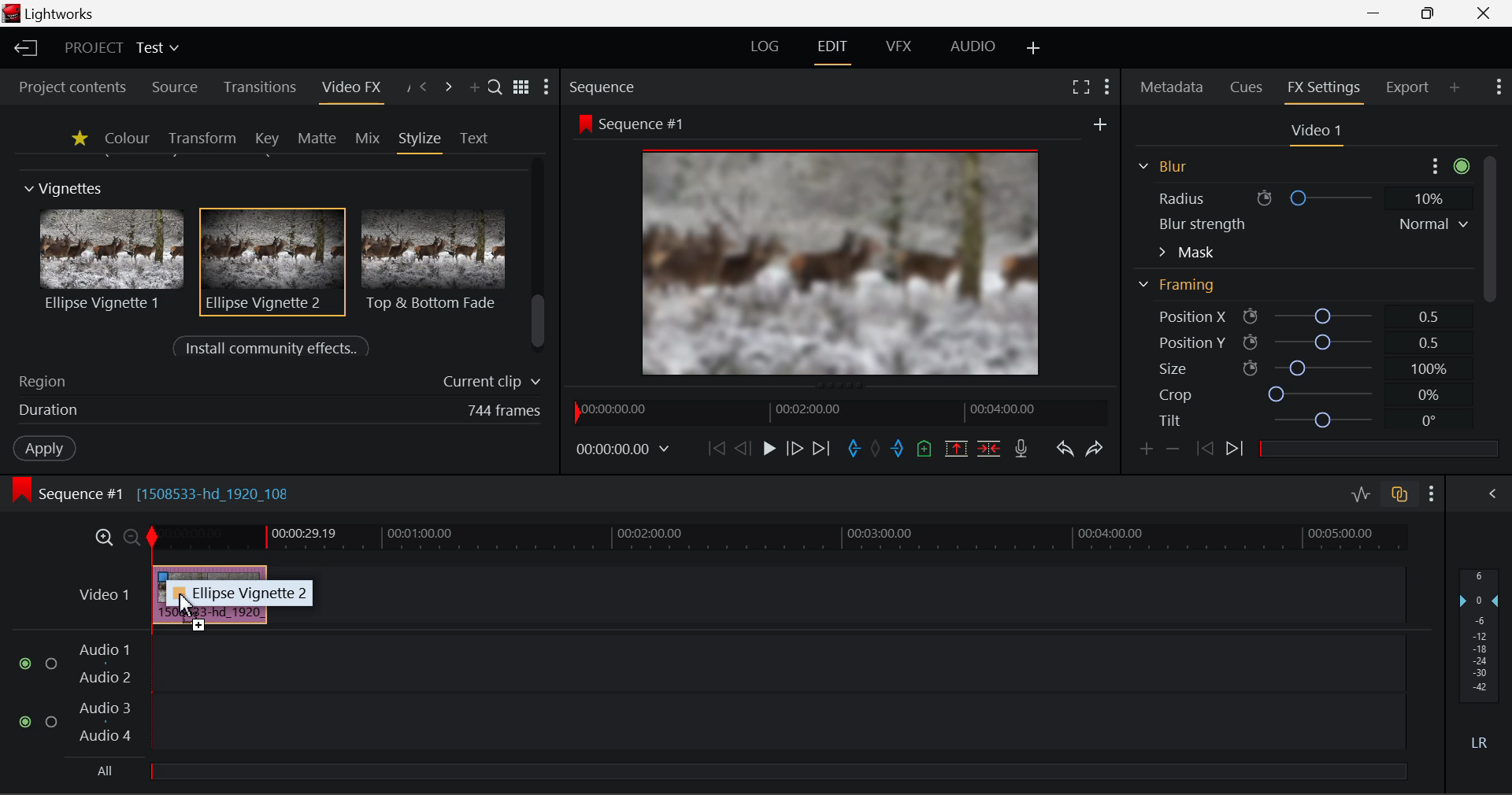 The width and height of the screenshot is (1512, 795). Describe the element at coordinates (273, 383) in the screenshot. I see `Region of Effect` at that location.